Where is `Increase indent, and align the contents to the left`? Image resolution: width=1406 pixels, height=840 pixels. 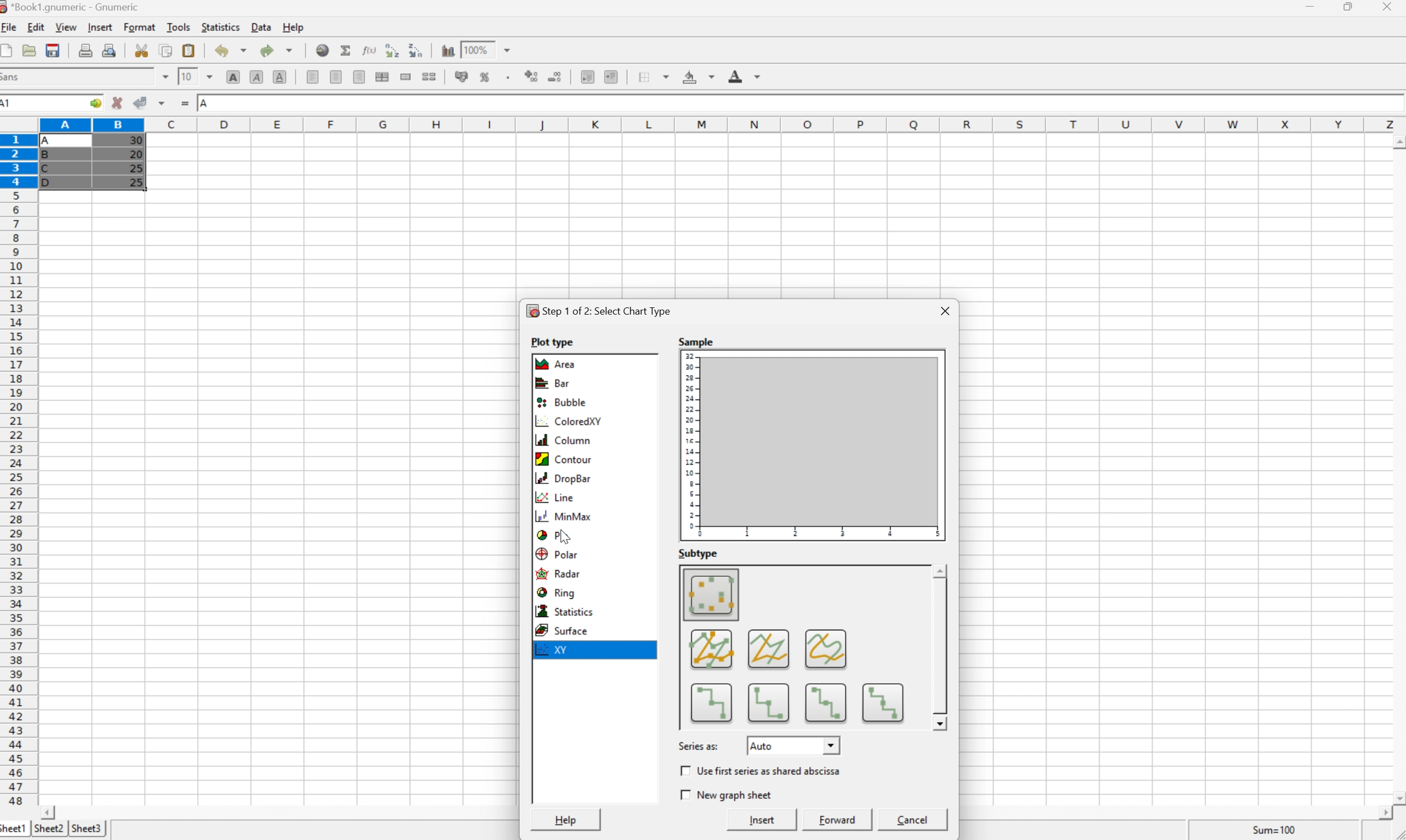 Increase indent, and align the contents to the left is located at coordinates (614, 77).